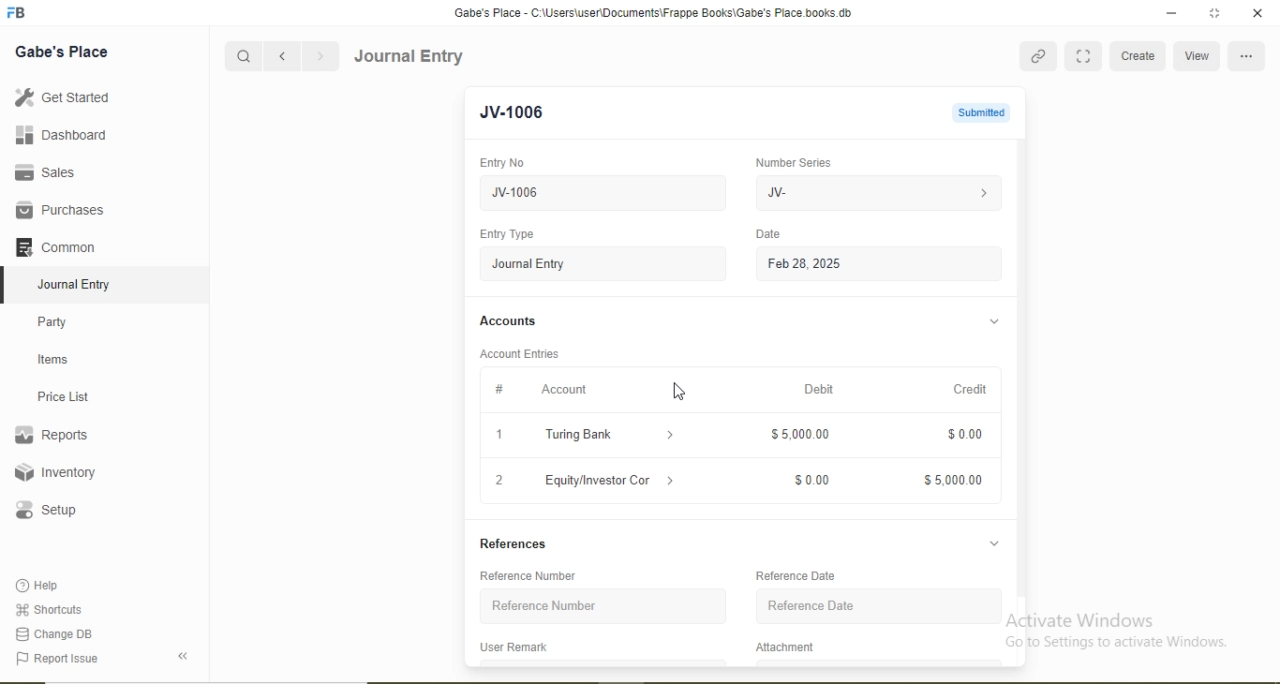  Describe the element at coordinates (505, 234) in the screenshot. I see `Entry Type` at that location.